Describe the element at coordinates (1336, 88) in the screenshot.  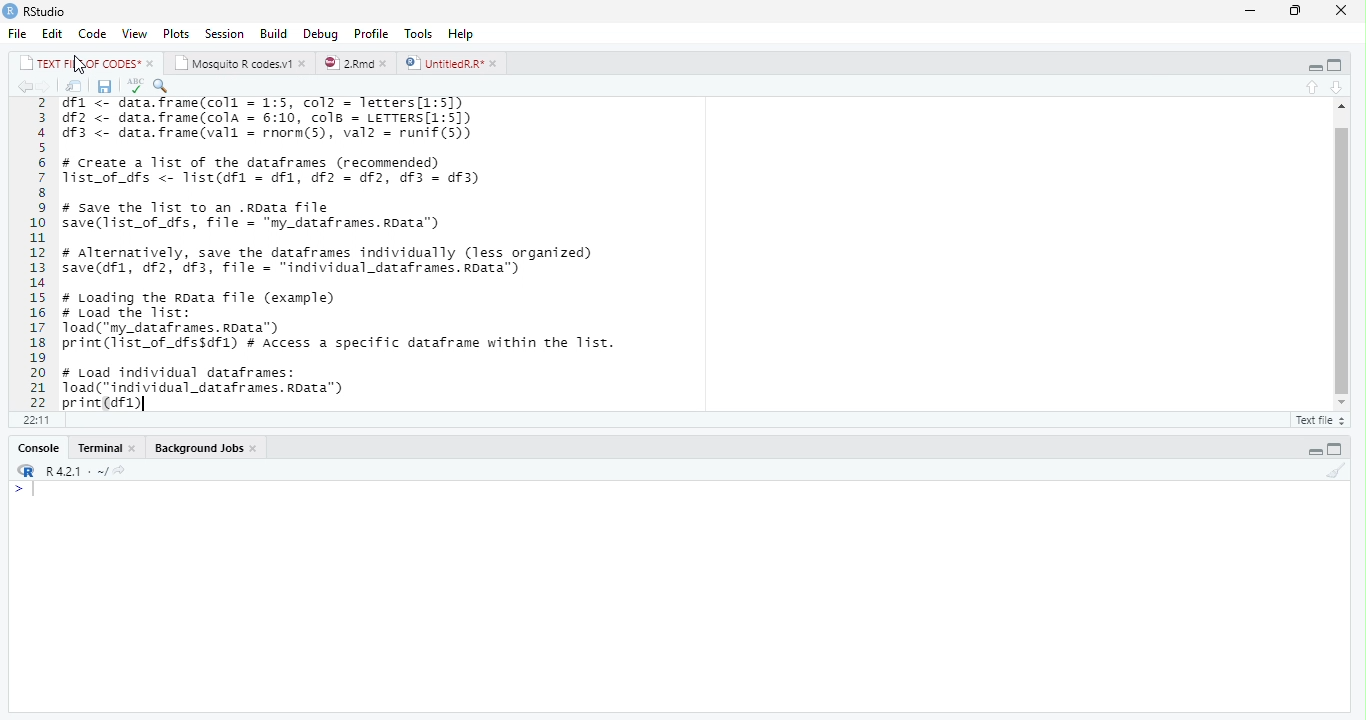
I see `Go to next section` at that location.